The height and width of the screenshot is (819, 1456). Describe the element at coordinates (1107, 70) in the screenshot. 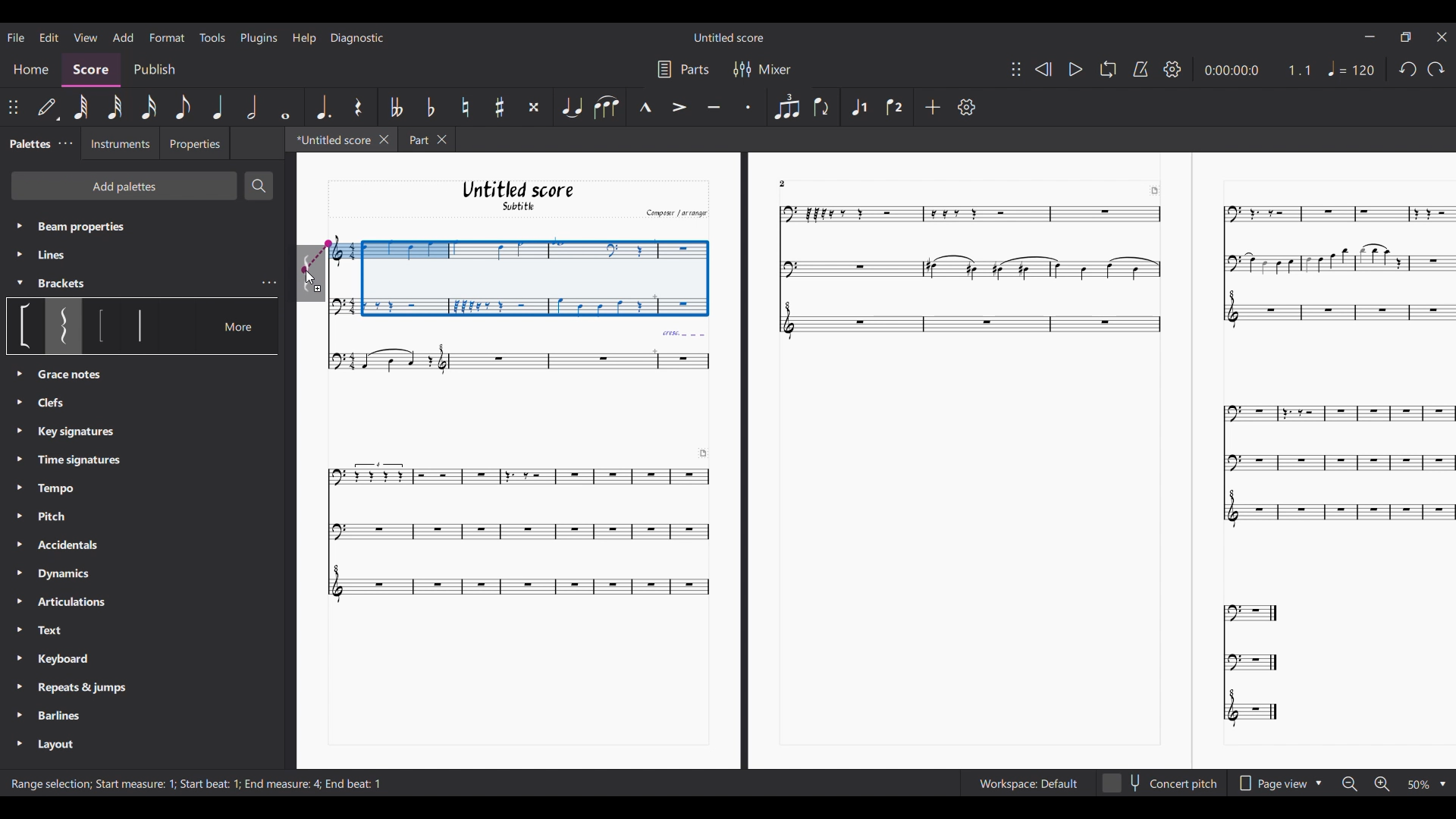

I see `Loop playback` at that location.